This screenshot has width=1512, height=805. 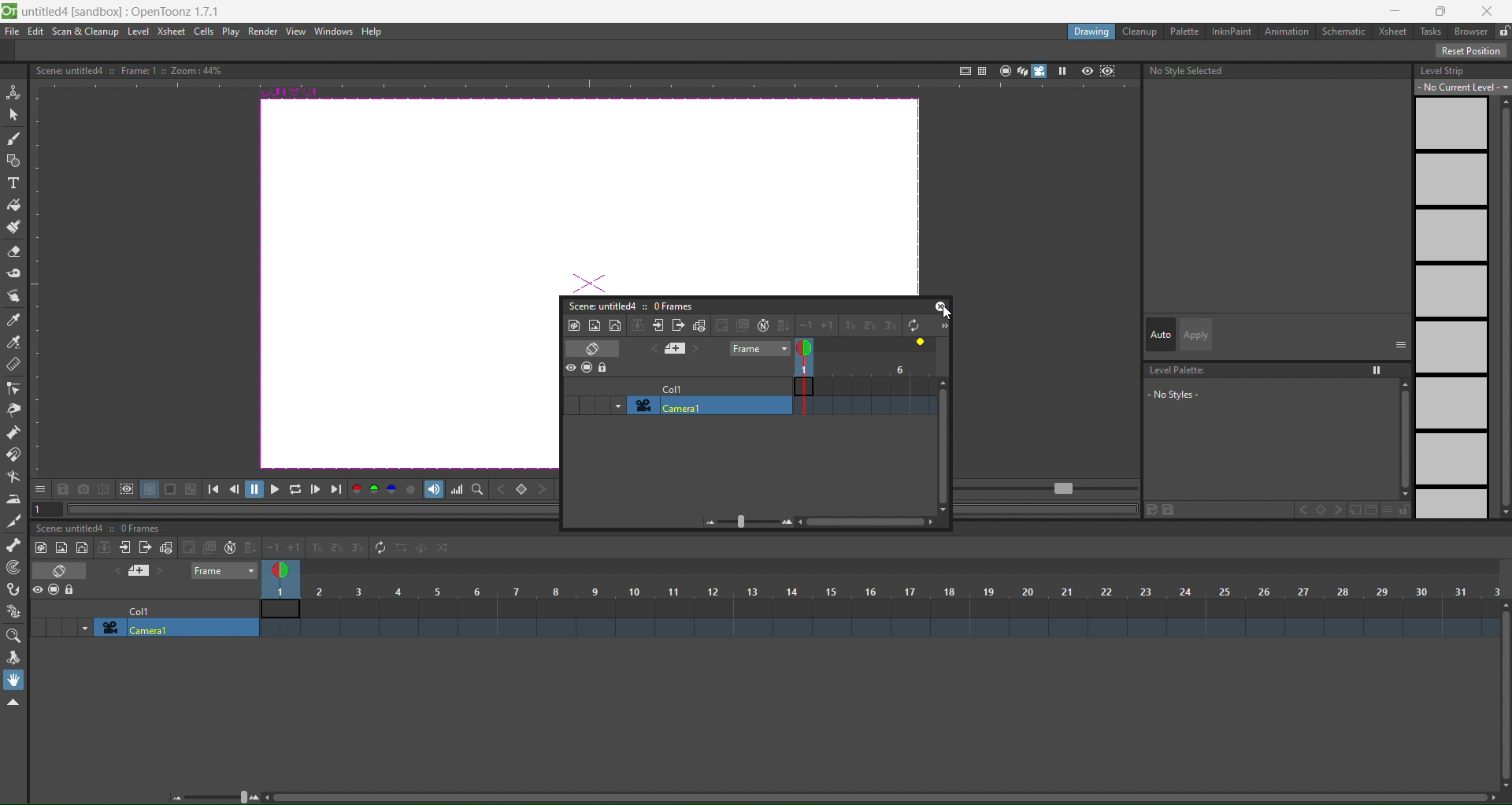 I want to click on col1, so click(x=147, y=610).